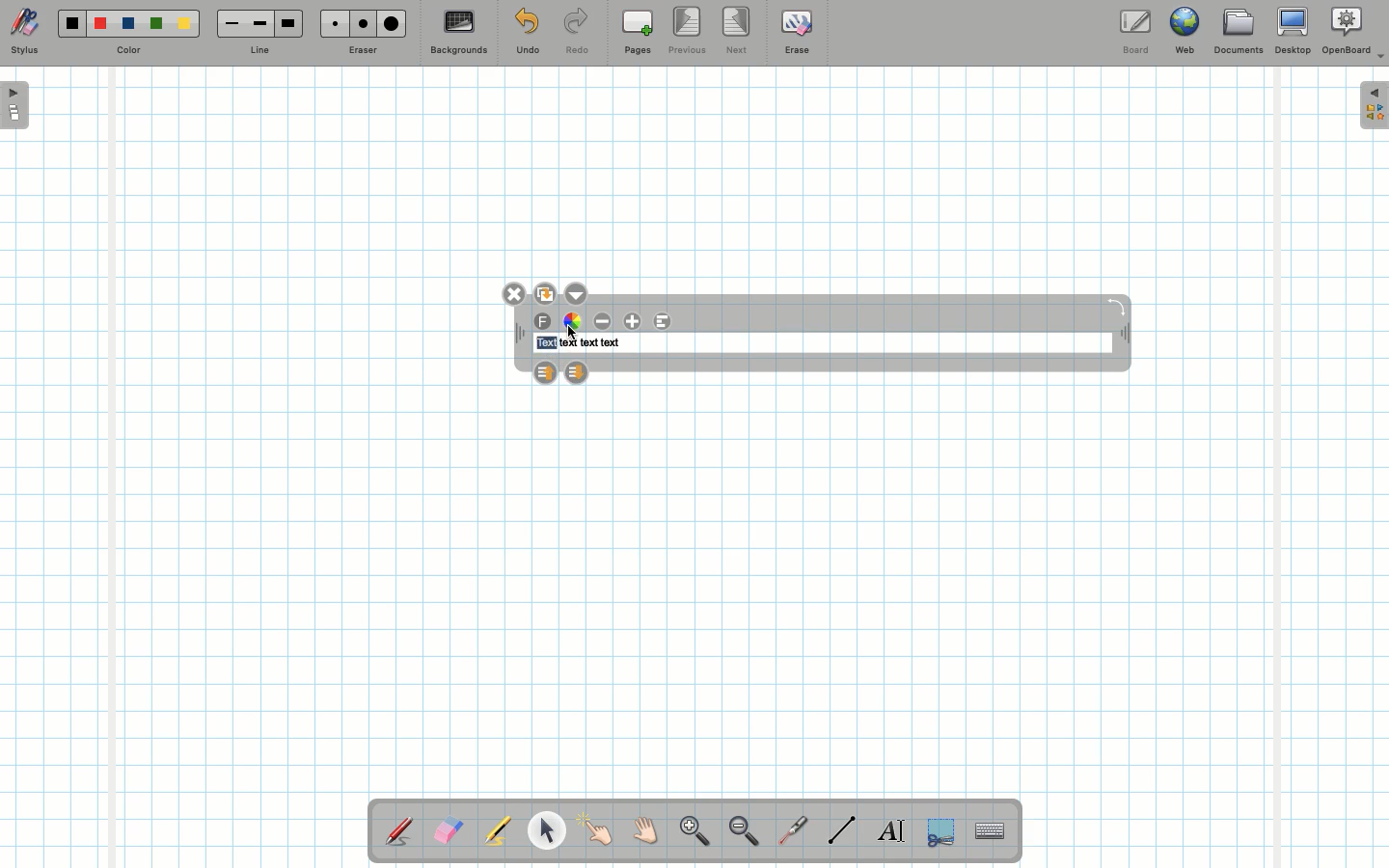  What do you see at coordinates (1353, 31) in the screenshot?
I see `OpenBoard` at bounding box center [1353, 31].